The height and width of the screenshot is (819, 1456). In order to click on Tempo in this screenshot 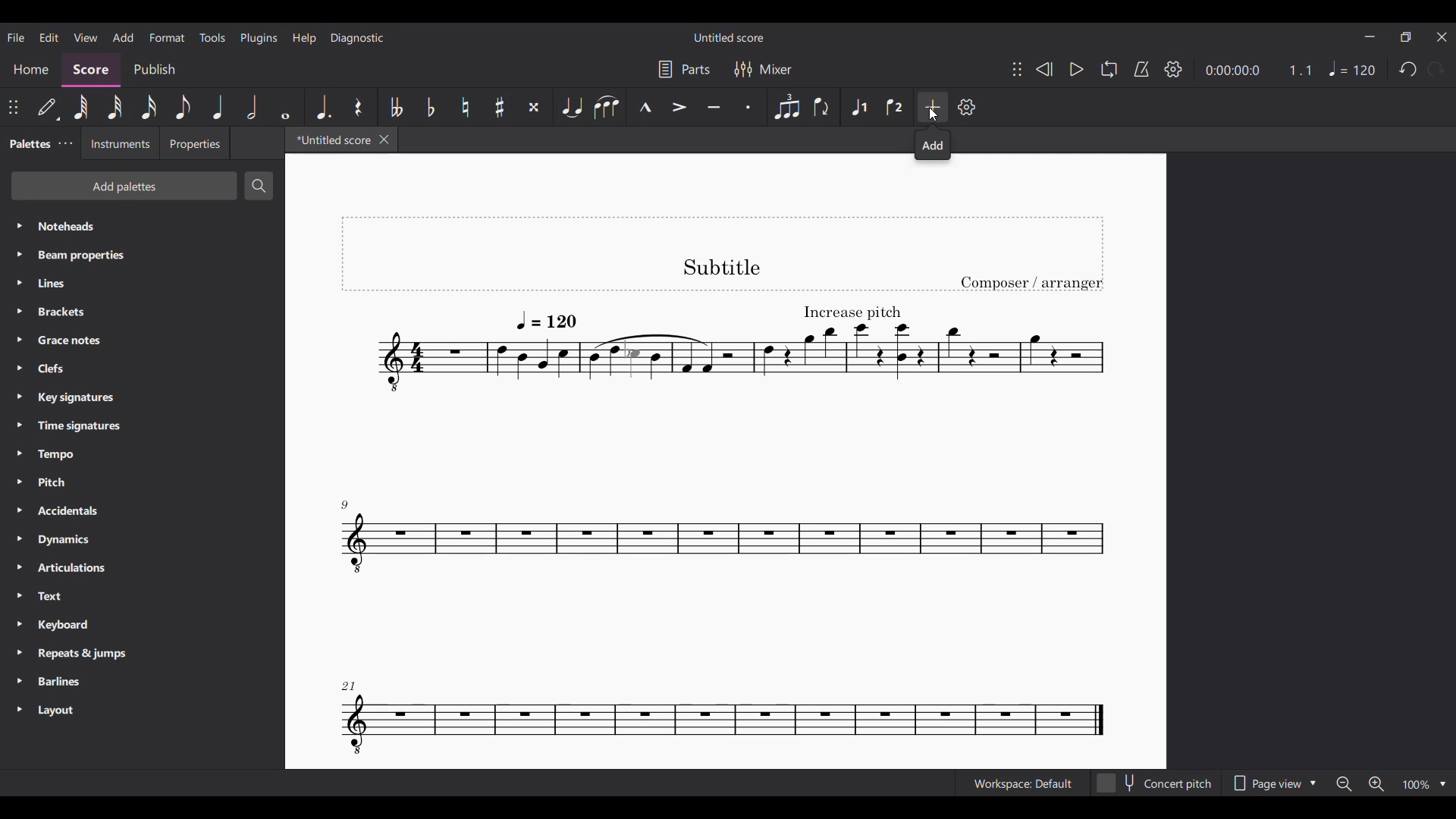, I will do `click(1353, 68)`.